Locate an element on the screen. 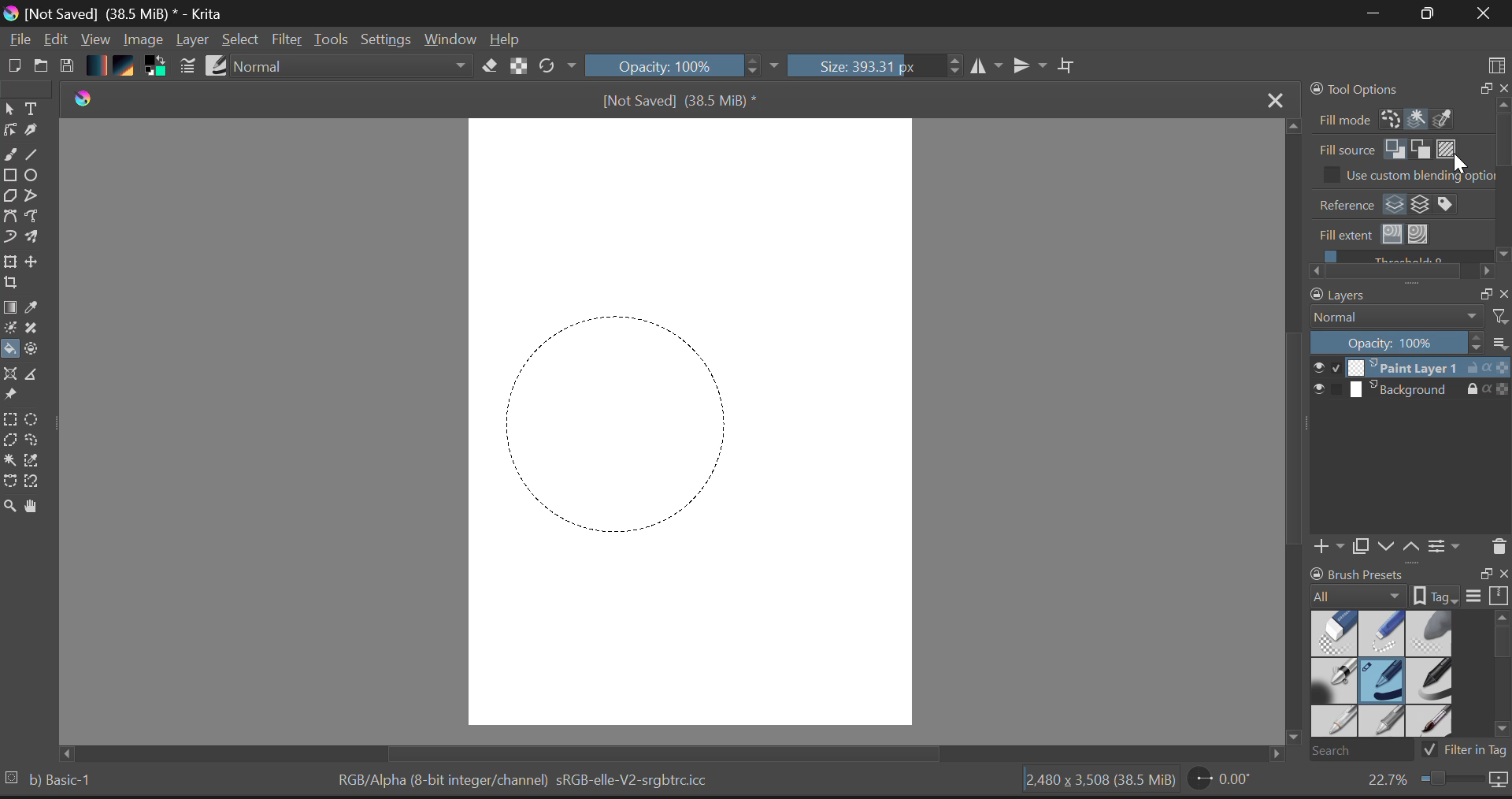  Tools Options Docker is located at coordinates (1408, 103).